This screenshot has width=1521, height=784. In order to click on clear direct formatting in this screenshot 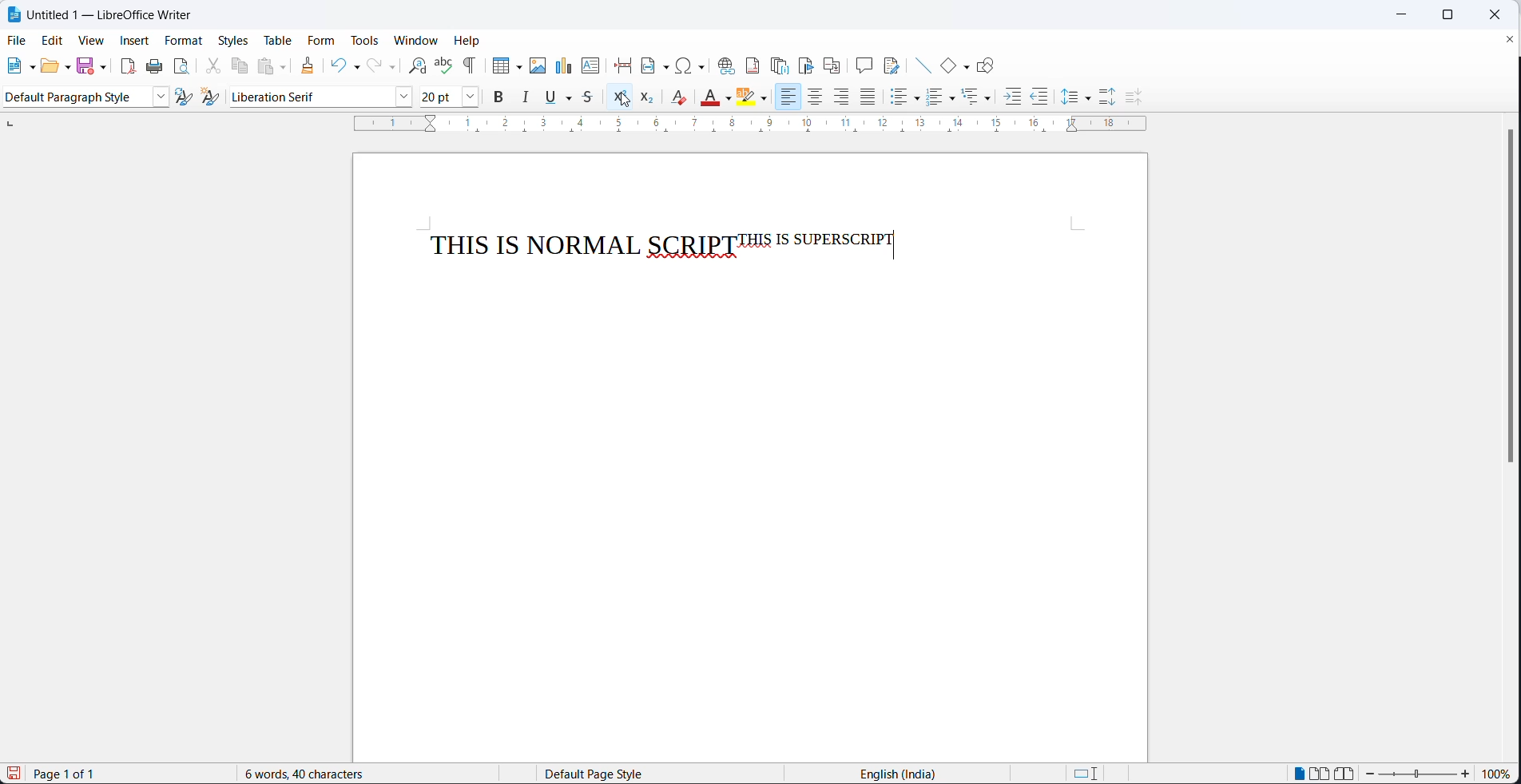, I will do `click(709, 98)`.